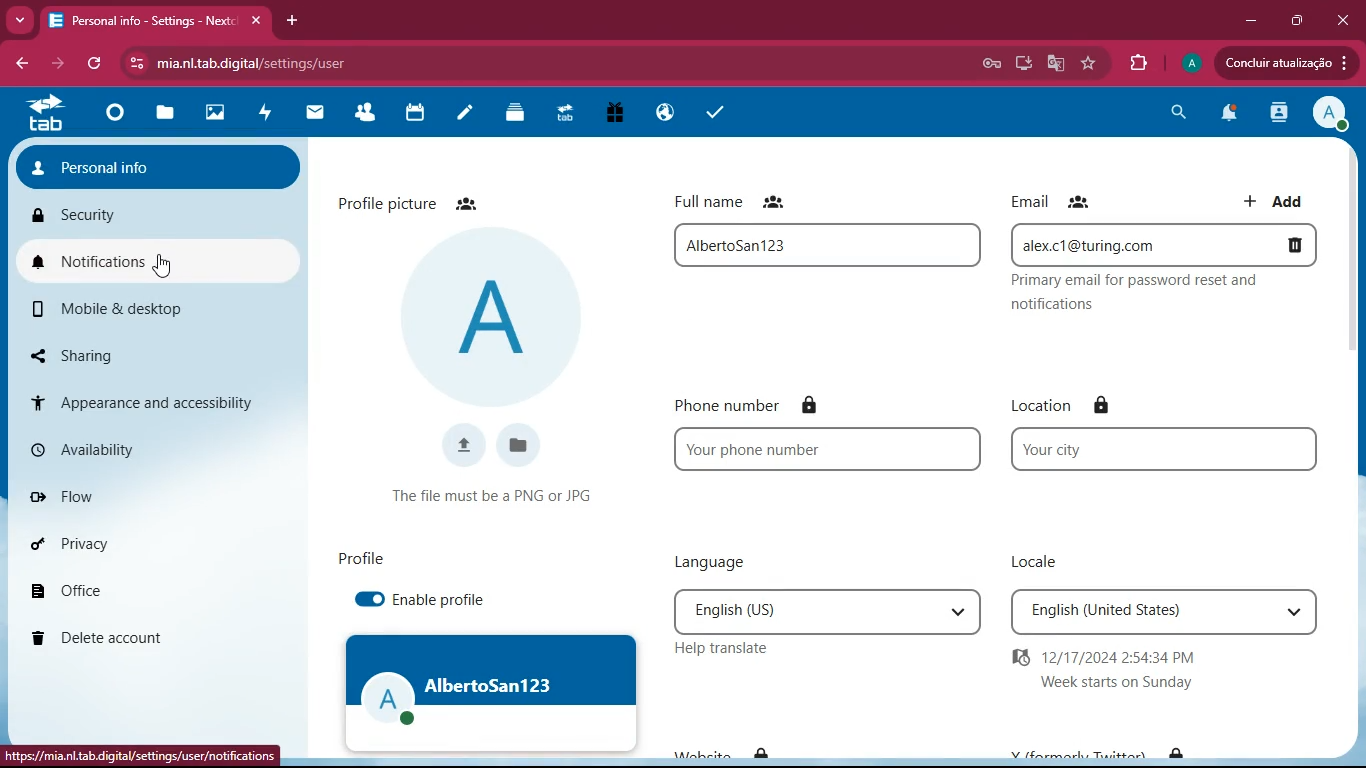 The image size is (1366, 768). Describe the element at coordinates (1021, 64) in the screenshot. I see `desktop` at that location.